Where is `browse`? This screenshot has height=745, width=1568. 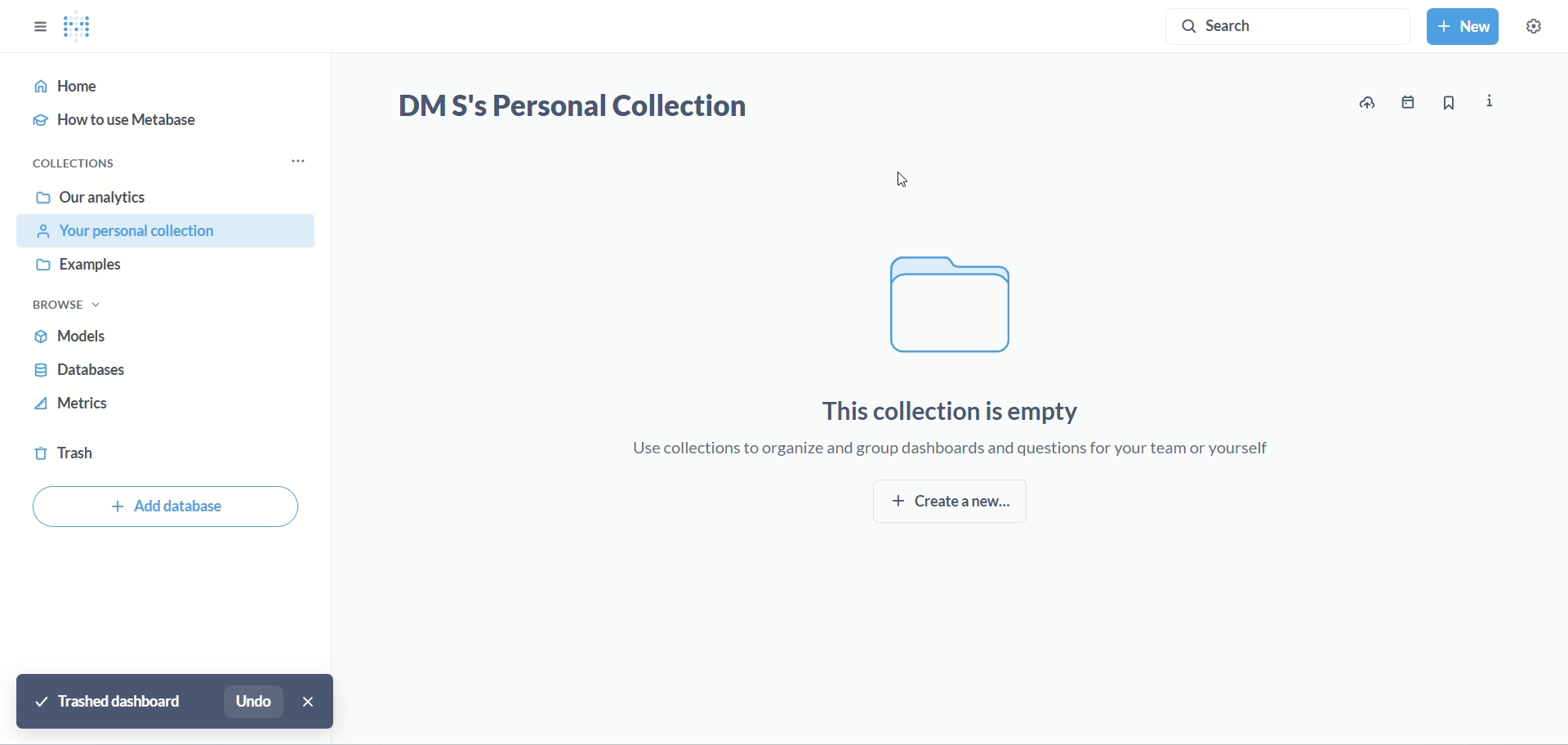
browse is located at coordinates (74, 306).